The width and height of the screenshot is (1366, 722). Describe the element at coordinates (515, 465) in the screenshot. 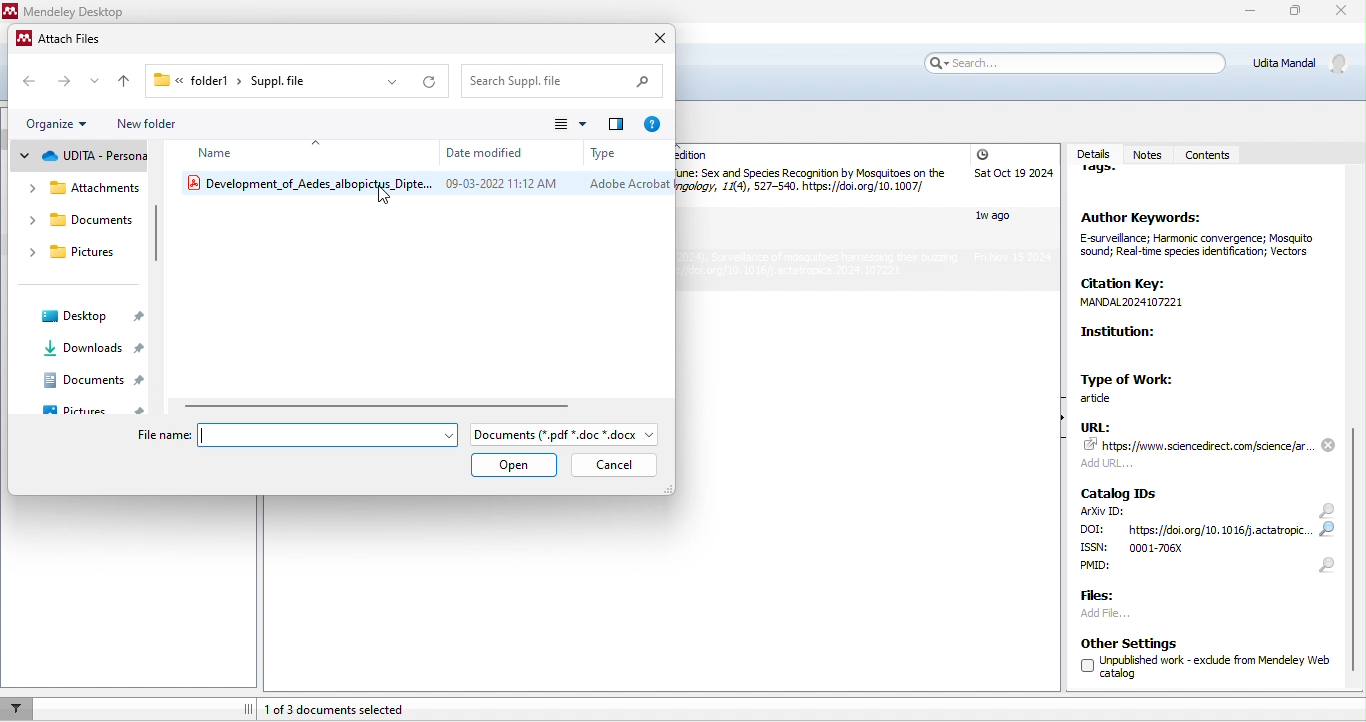

I see `open` at that location.